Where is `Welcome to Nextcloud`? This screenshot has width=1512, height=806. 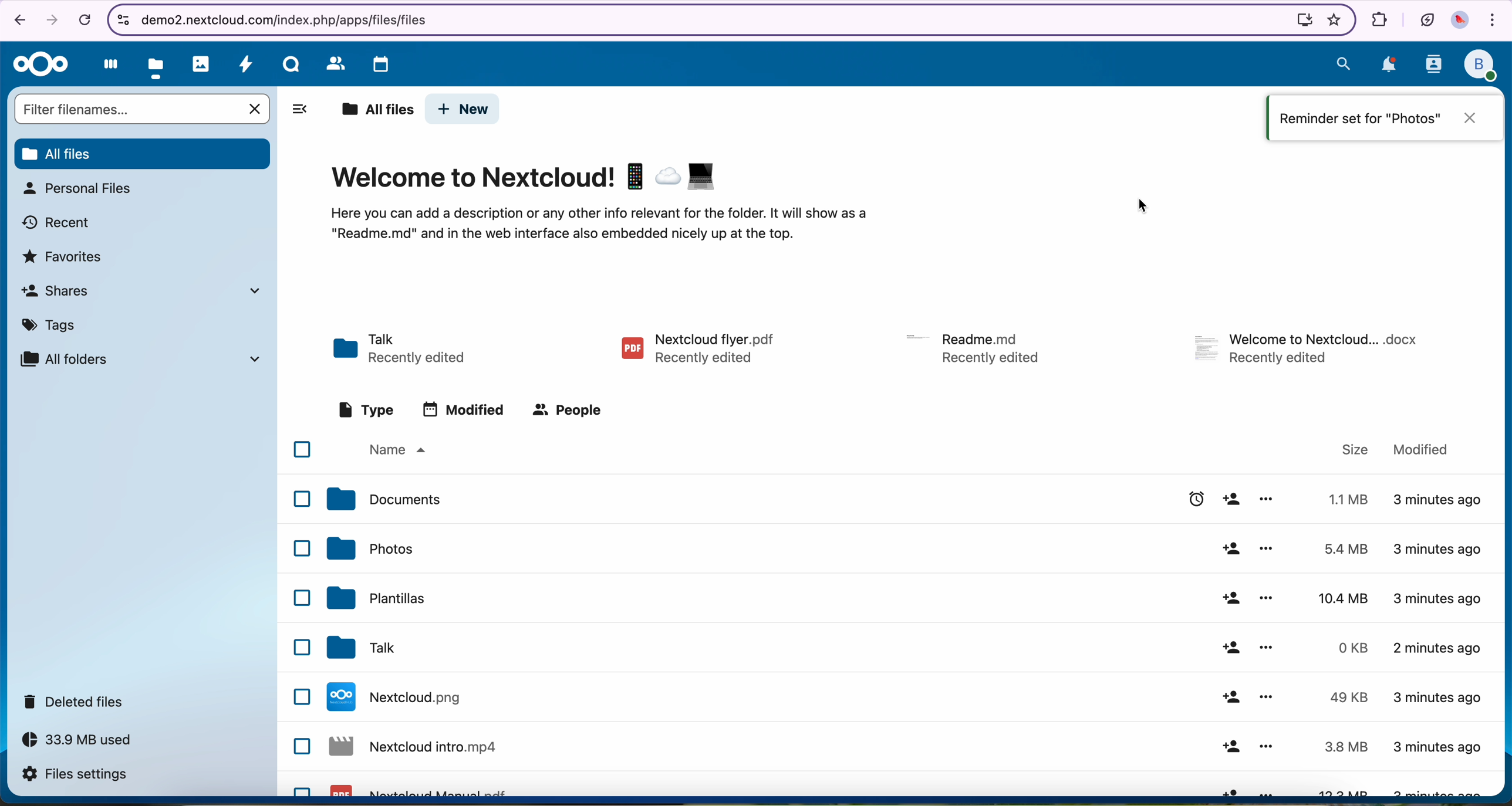 Welcome to Nextcloud is located at coordinates (526, 177).